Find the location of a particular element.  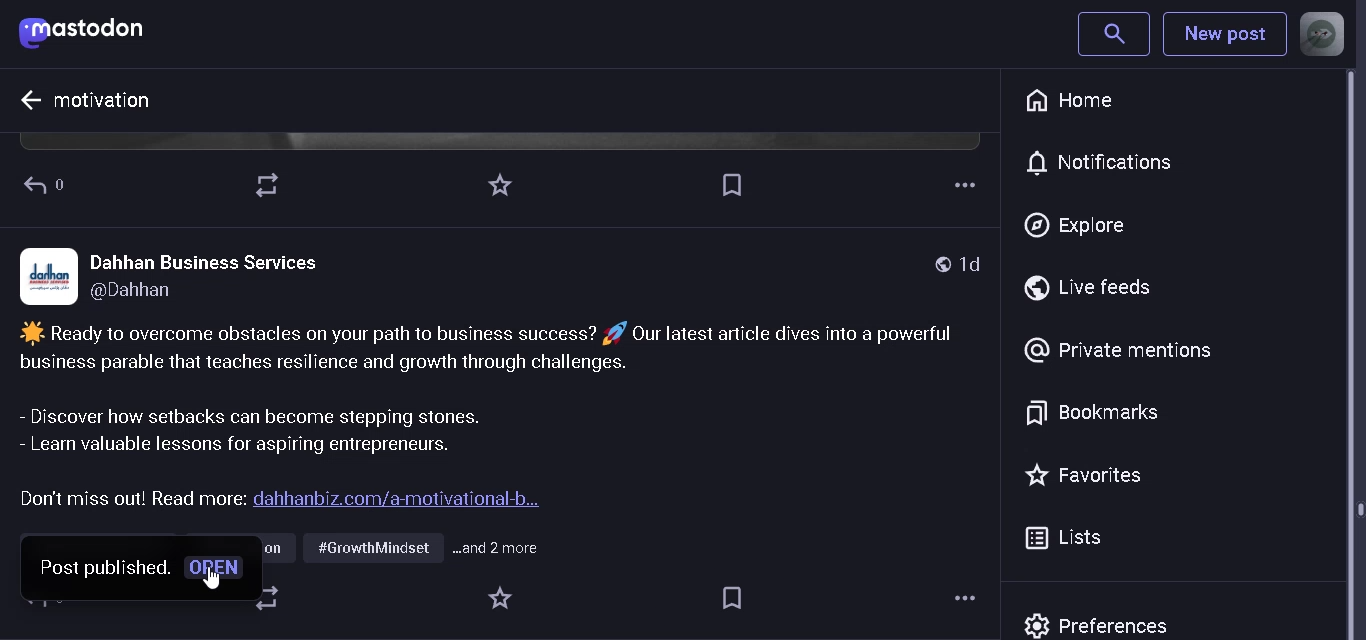

bookmarks is located at coordinates (1092, 411).